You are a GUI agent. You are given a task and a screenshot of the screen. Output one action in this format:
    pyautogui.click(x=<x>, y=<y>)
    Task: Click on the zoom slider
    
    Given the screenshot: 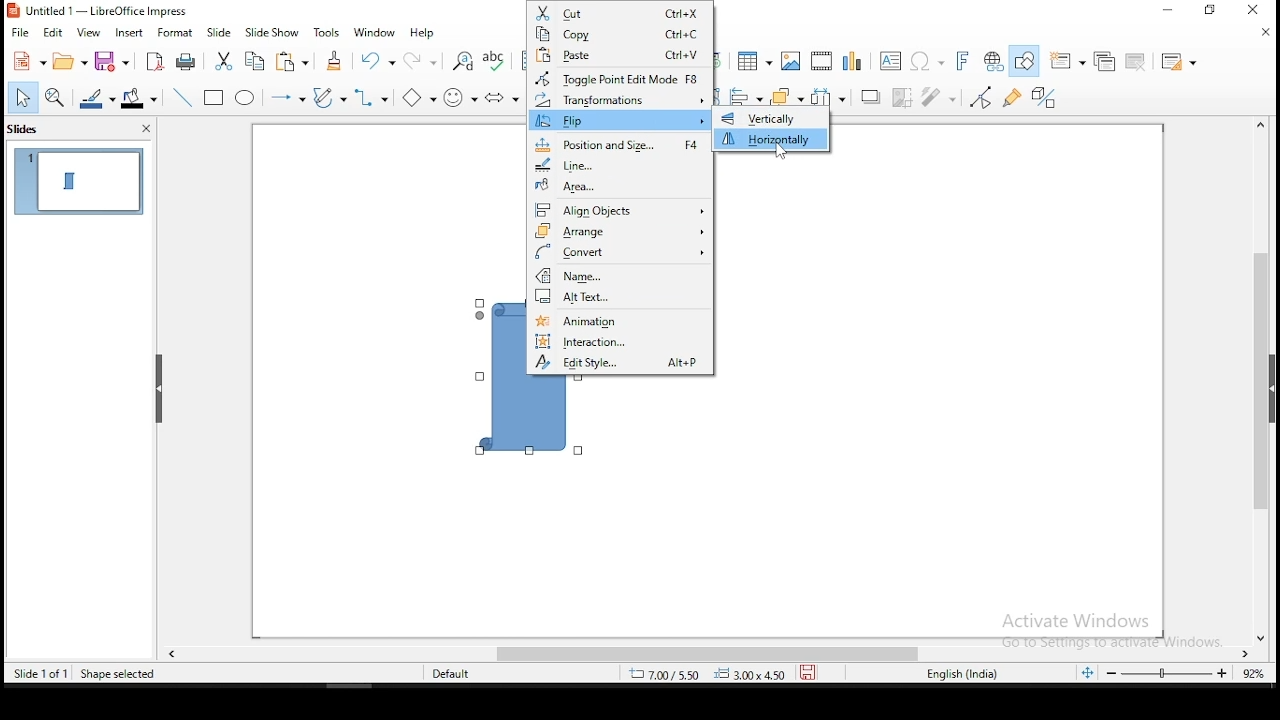 What is the action you would take?
    pyautogui.click(x=1169, y=676)
    